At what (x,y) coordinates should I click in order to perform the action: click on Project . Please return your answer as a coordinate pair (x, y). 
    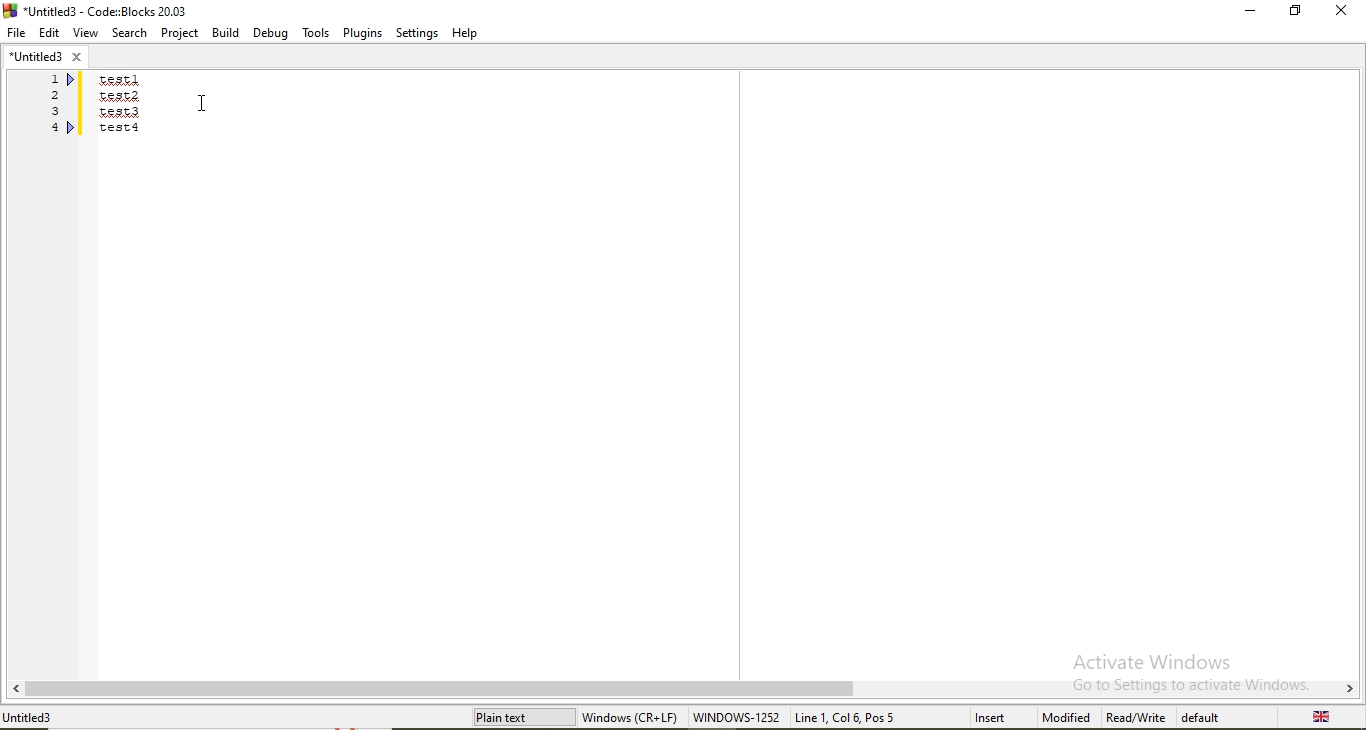
    Looking at the image, I should click on (181, 32).